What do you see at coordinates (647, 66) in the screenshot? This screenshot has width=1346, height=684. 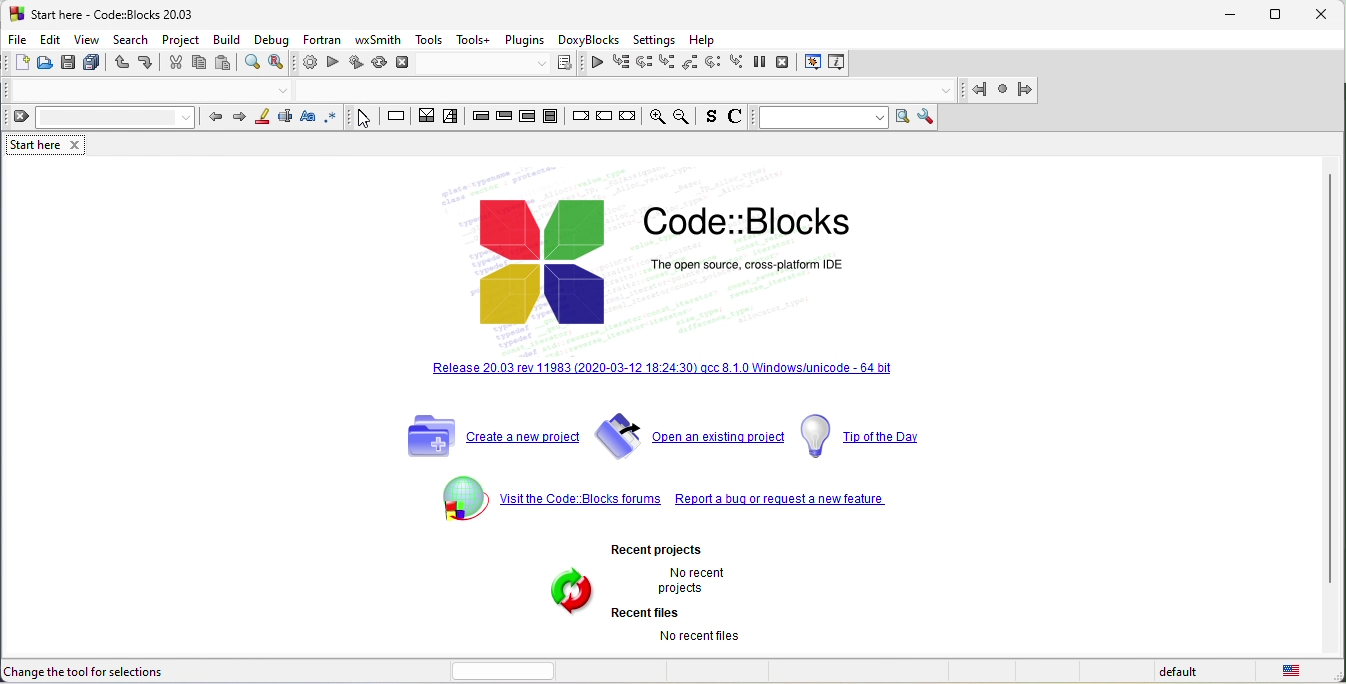 I see `next line` at bounding box center [647, 66].